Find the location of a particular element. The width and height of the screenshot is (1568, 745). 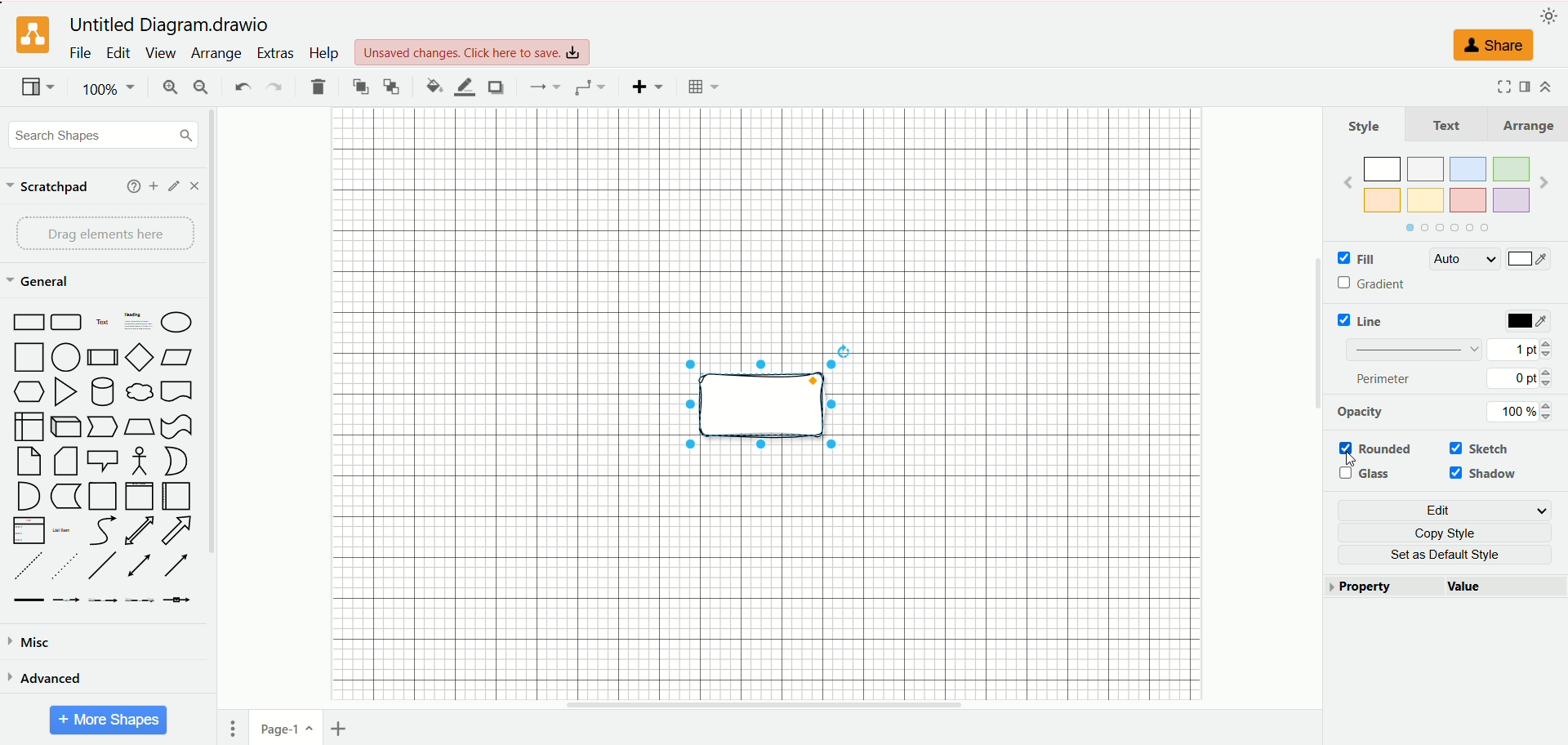

colors is located at coordinates (1445, 183).